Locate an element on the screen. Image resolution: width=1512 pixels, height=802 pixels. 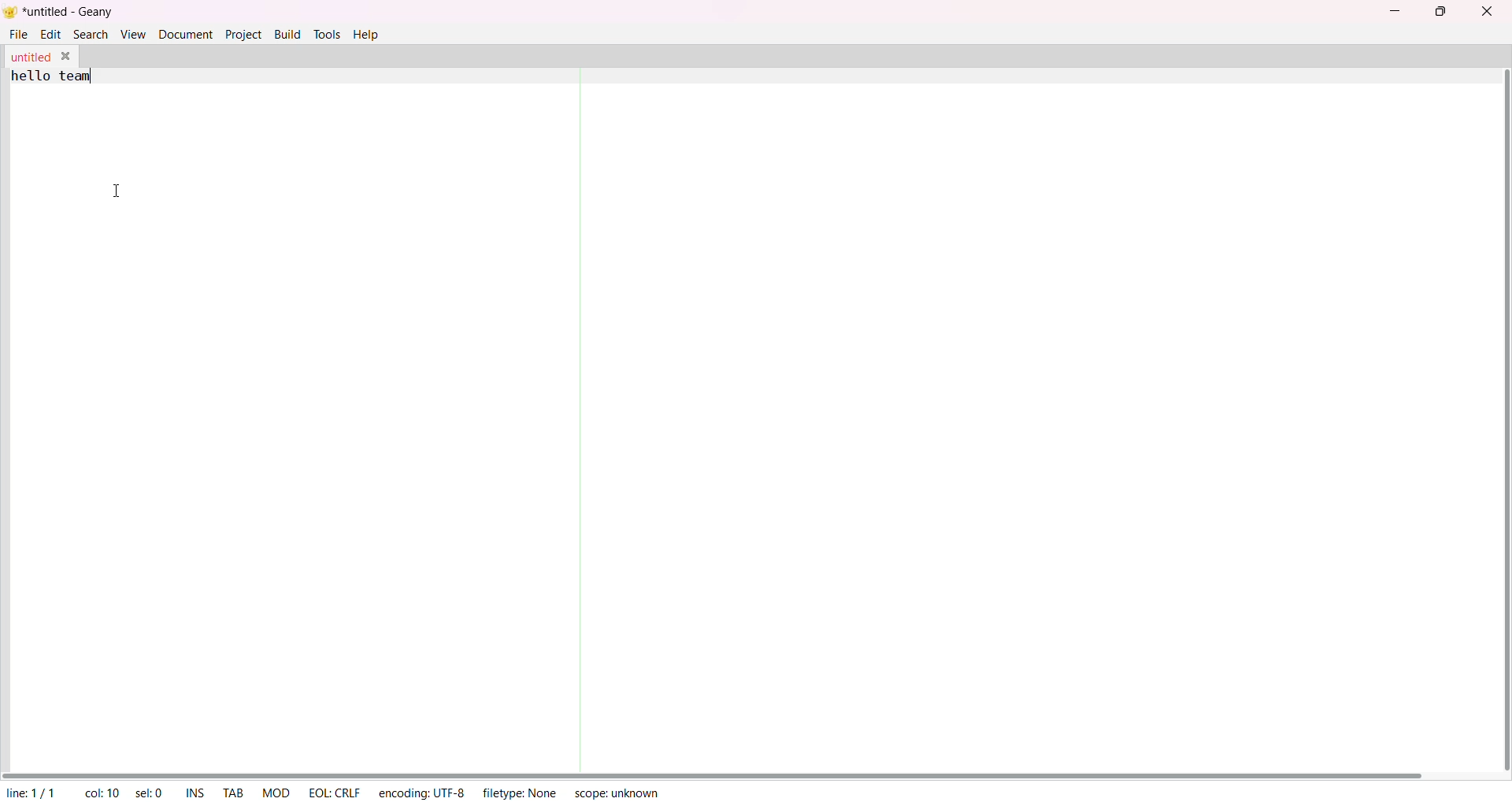
filetype: None is located at coordinates (517, 791).